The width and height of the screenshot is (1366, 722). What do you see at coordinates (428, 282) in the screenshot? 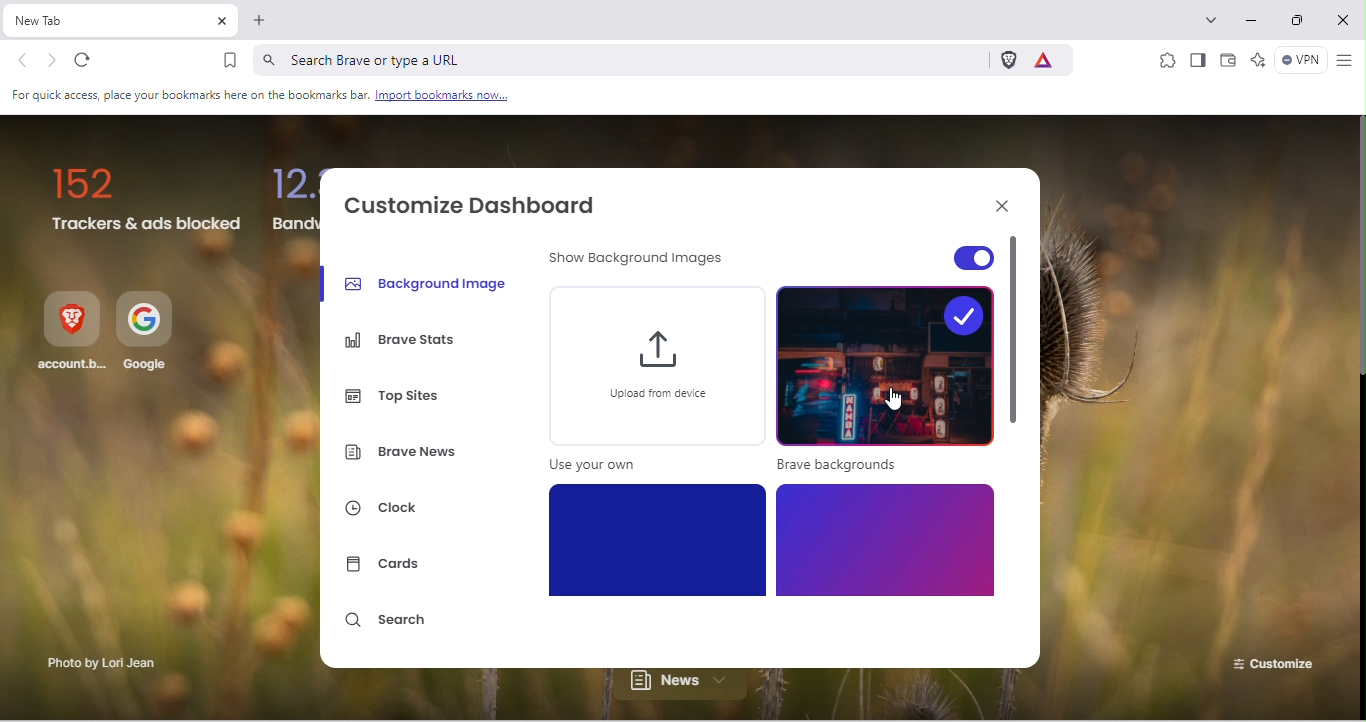
I see `Background image` at bounding box center [428, 282].